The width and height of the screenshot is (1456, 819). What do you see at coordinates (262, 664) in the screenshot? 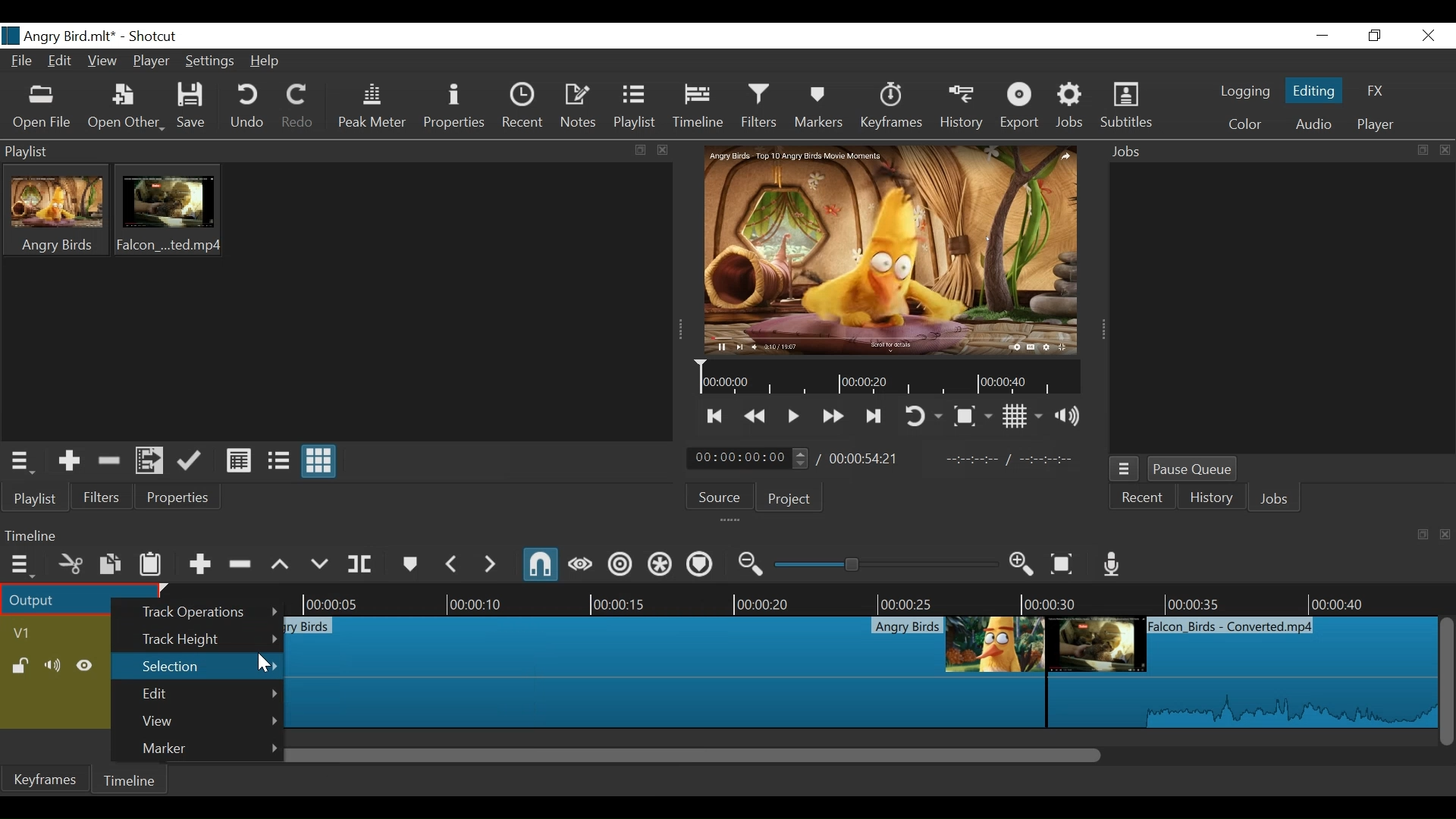
I see `Cursor` at bounding box center [262, 664].